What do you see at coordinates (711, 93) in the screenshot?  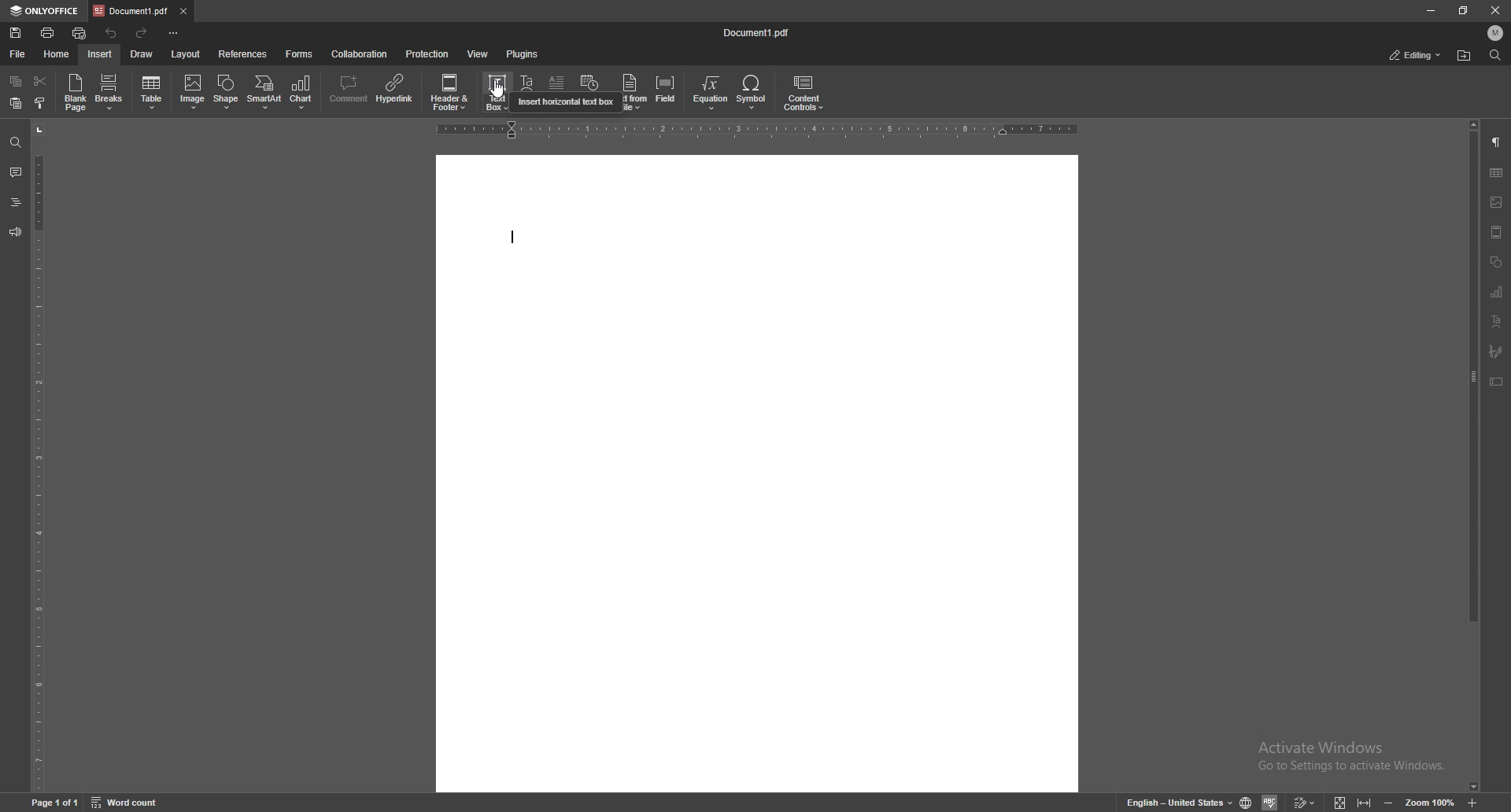 I see `equation` at bounding box center [711, 93].